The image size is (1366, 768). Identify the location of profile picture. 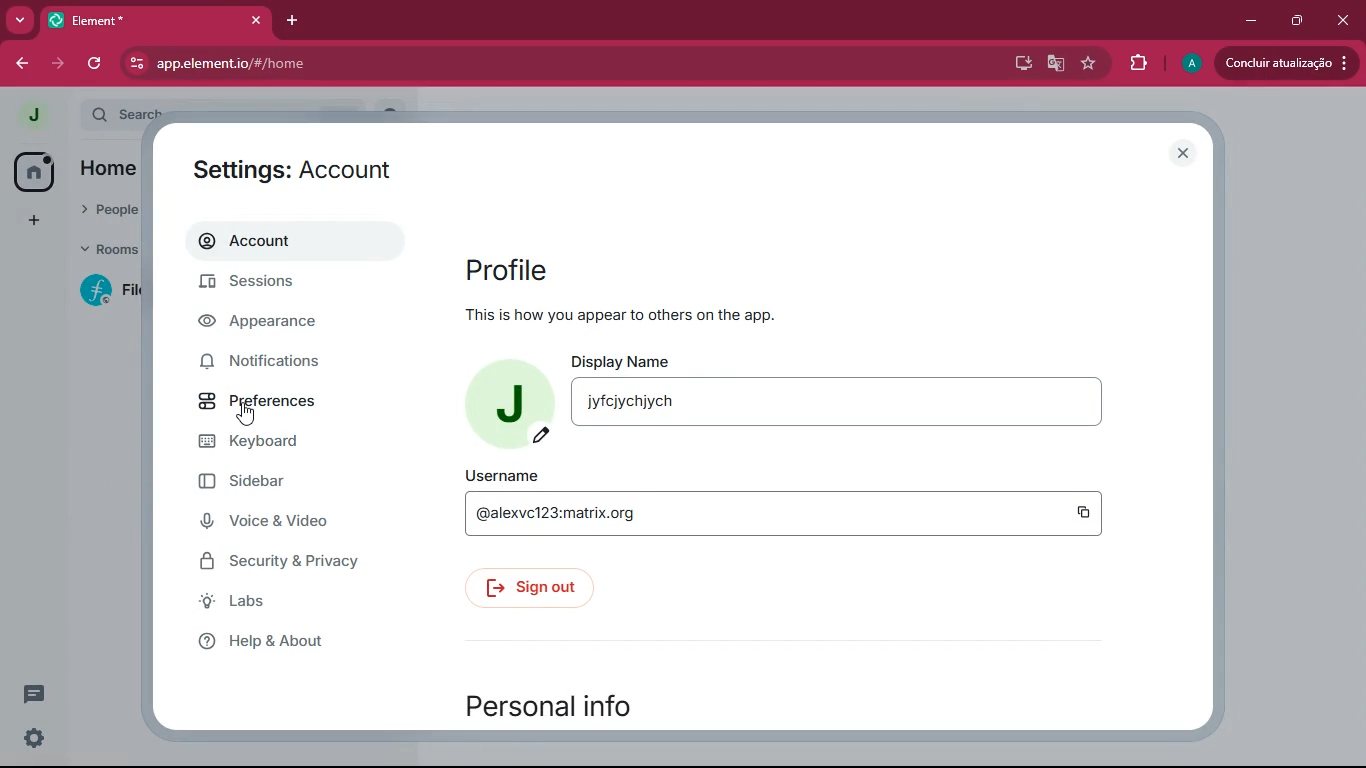
(1190, 64).